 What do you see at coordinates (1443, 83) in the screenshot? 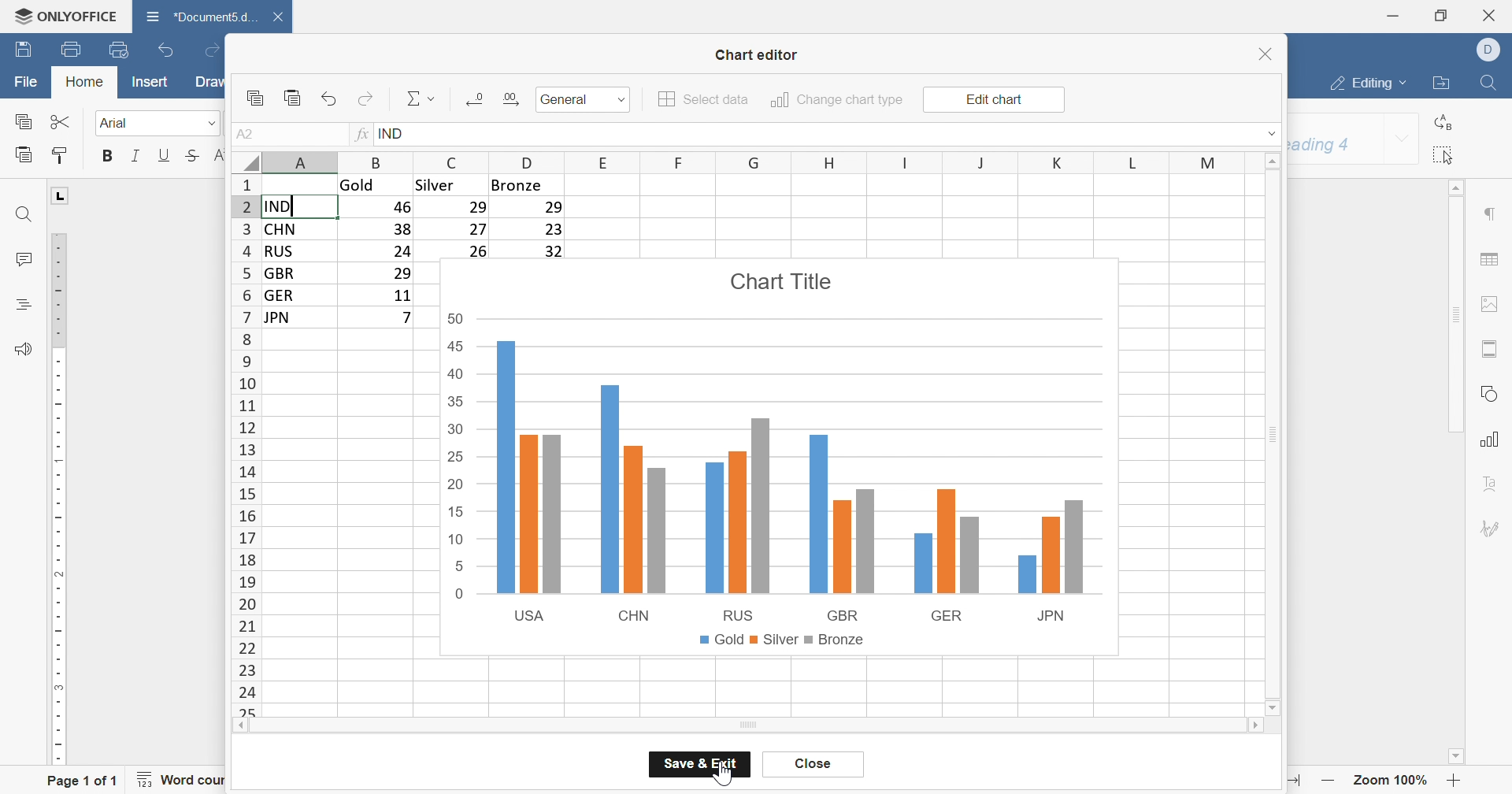
I see `open file location` at bounding box center [1443, 83].